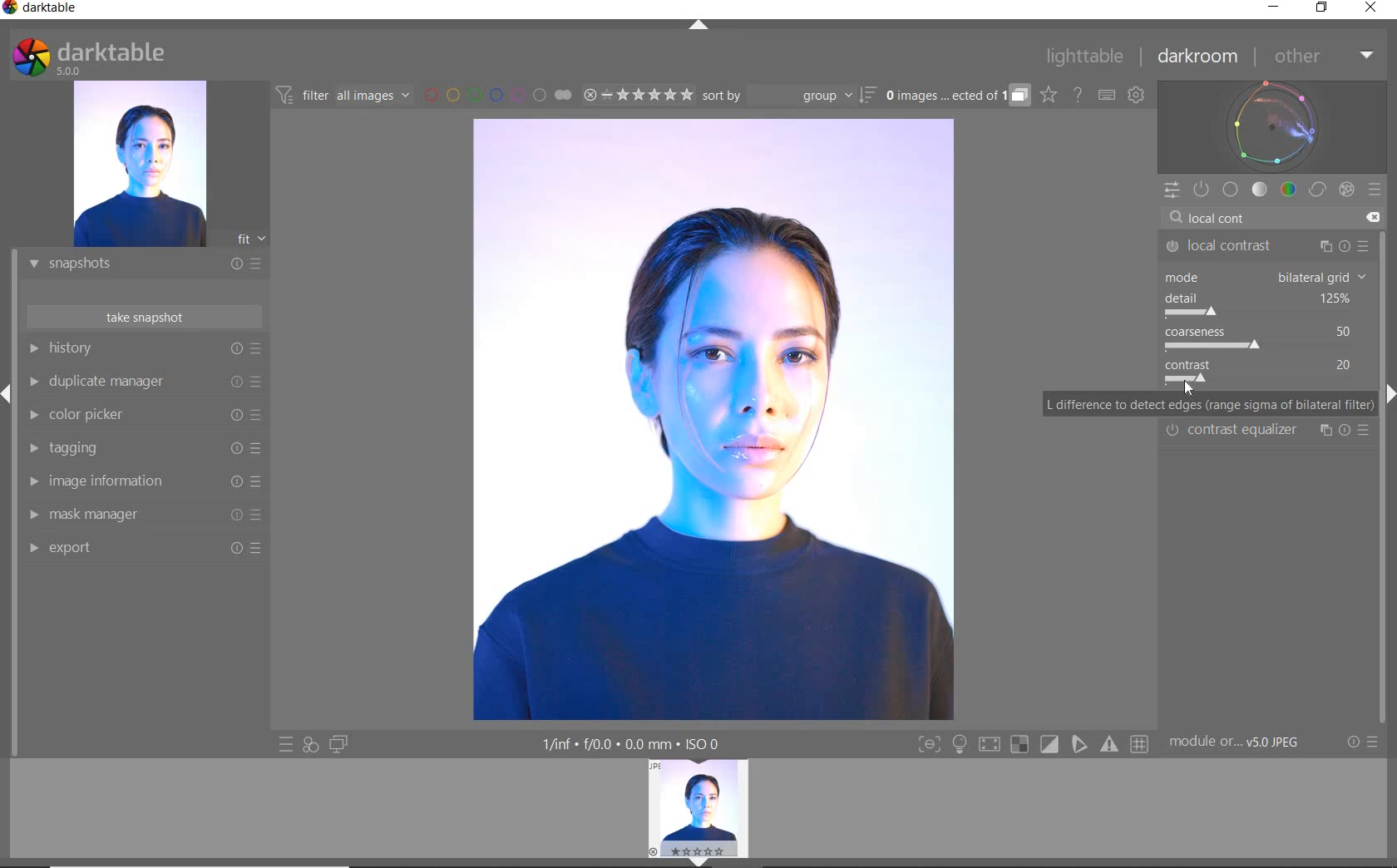 Image resolution: width=1397 pixels, height=868 pixels. What do you see at coordinates (704, 861) in the screenshot?
I see `EXPAND/COLLAPSE` at bounding box center [704, 861].